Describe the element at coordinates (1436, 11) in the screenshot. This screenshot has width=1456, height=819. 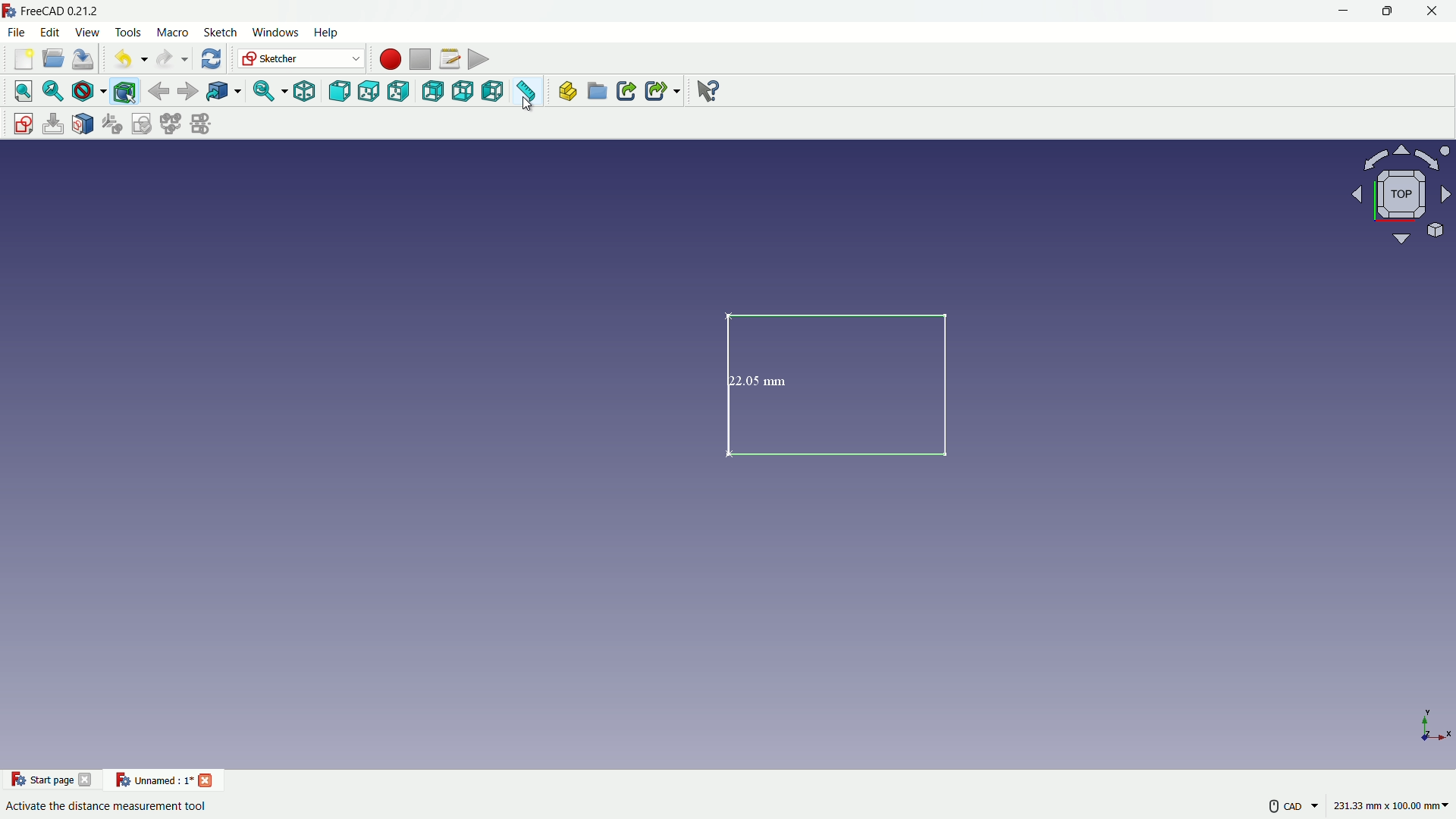
I see `close app` at that location.